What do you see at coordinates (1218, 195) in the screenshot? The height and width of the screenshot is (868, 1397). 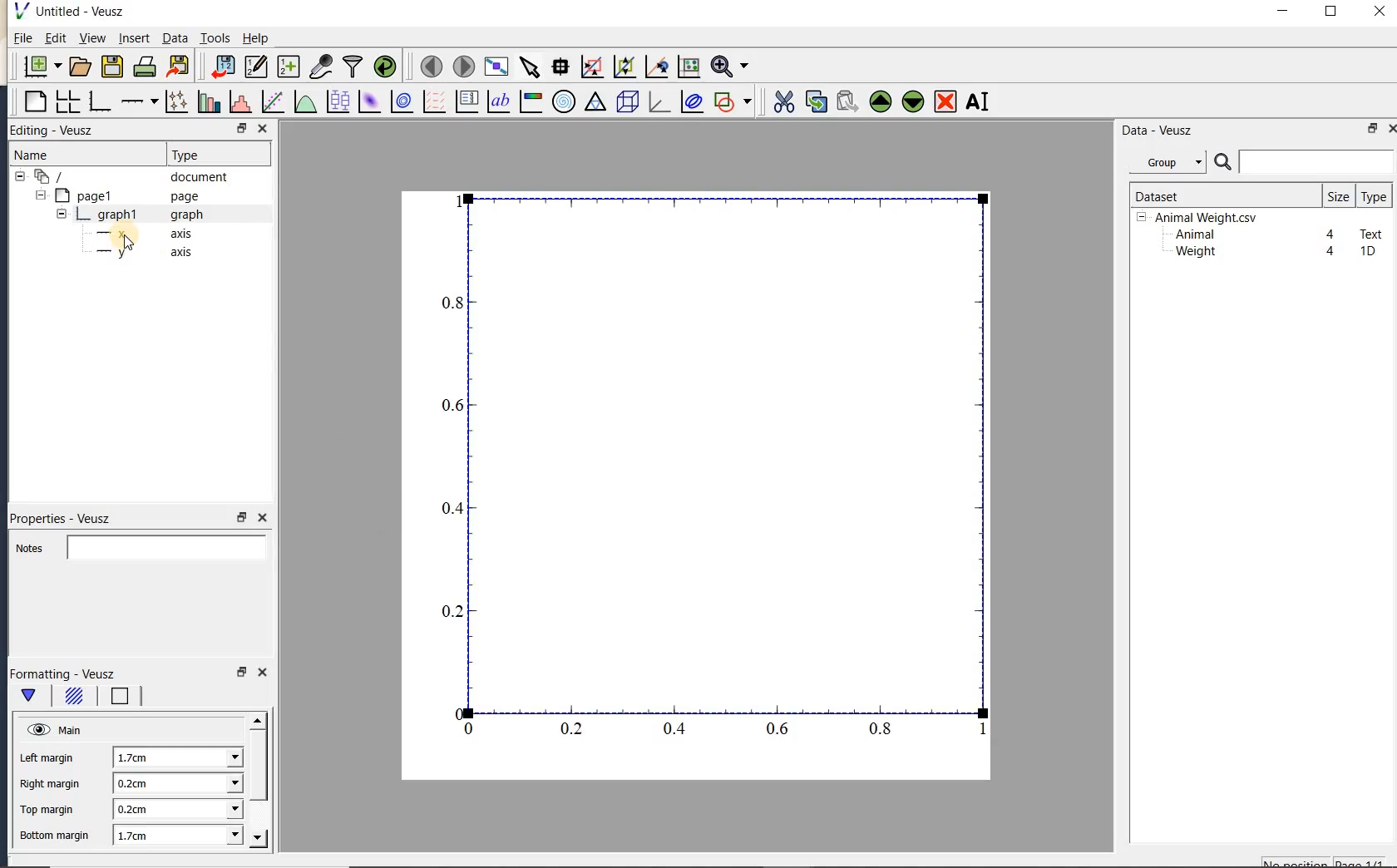 I see `Dataset` at bounding box center [1218, 195].